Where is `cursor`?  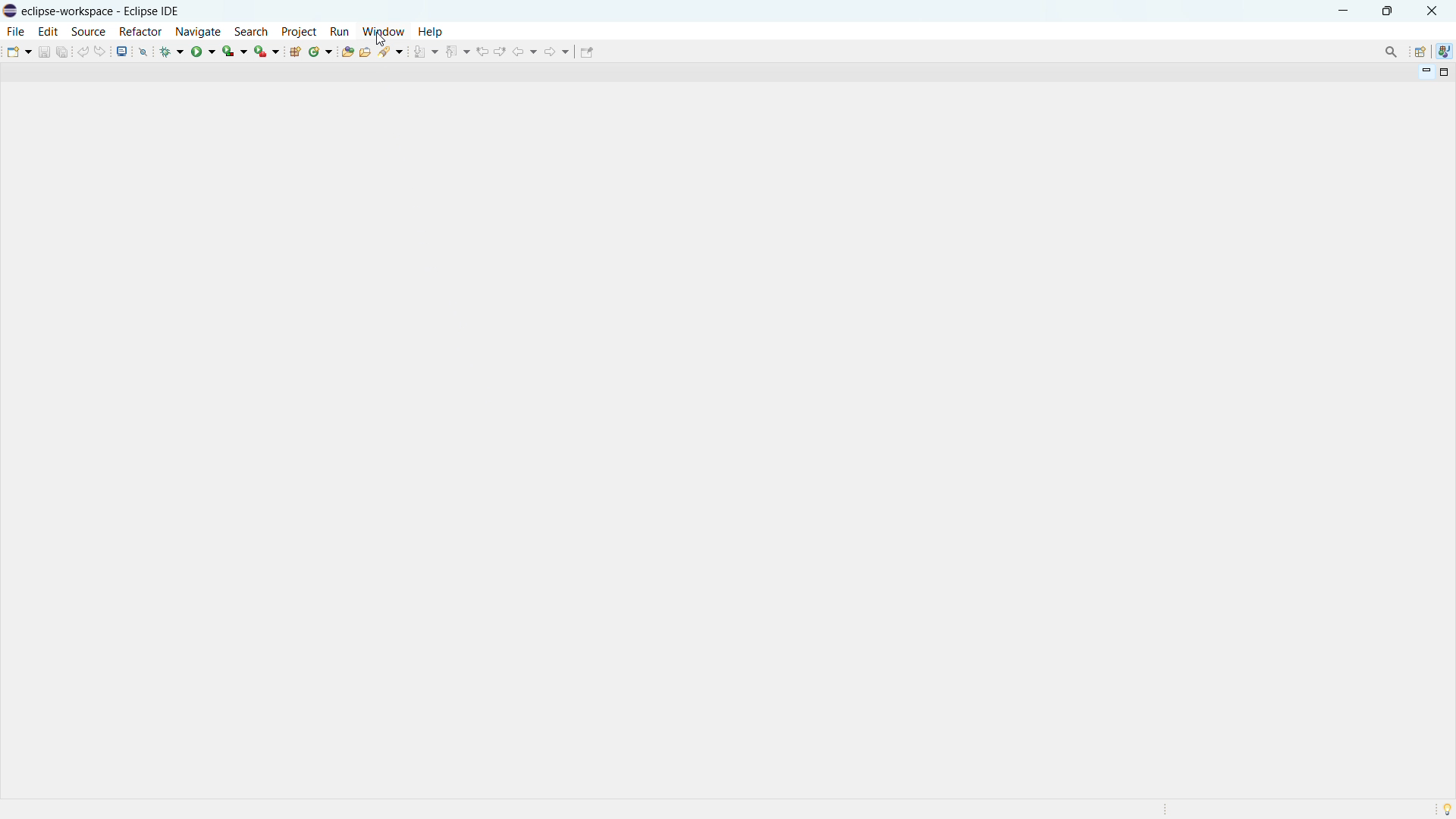 cursor is located at coordinates (378, 40).